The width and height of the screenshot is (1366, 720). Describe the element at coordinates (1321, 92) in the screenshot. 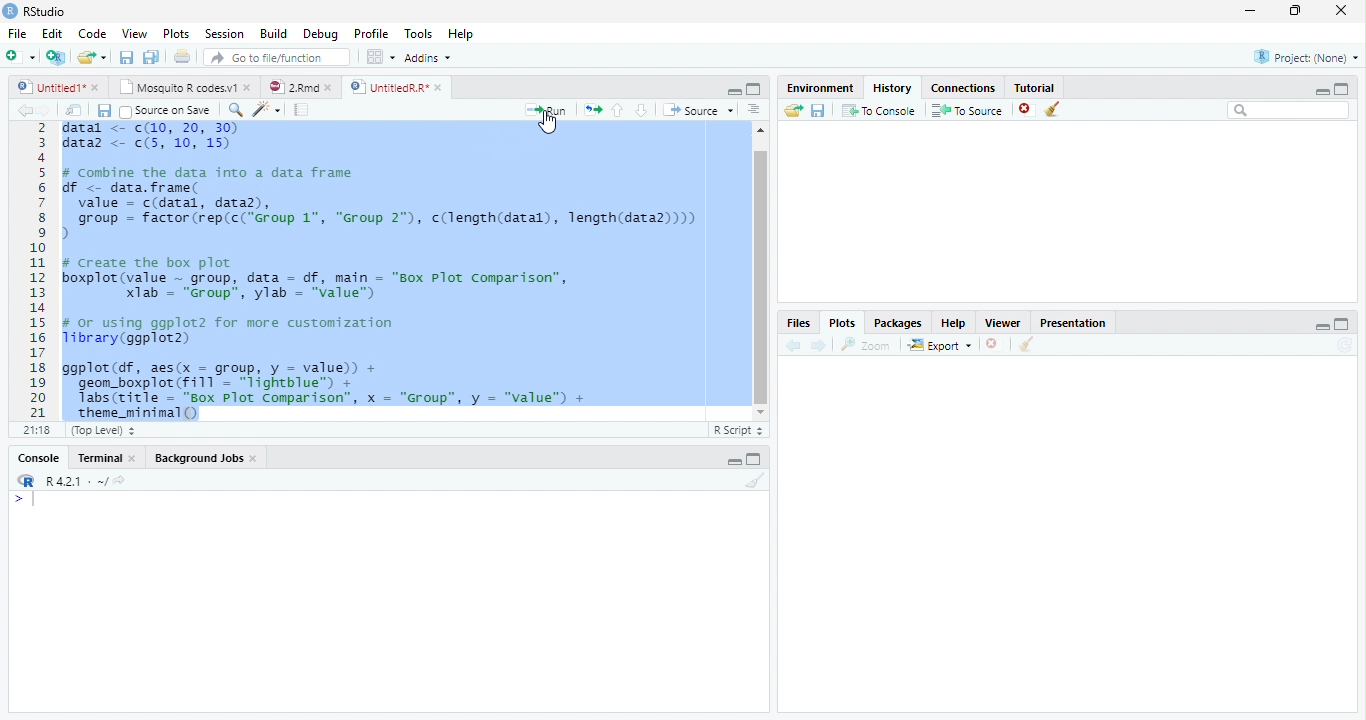

I see `Minimize` at that location.